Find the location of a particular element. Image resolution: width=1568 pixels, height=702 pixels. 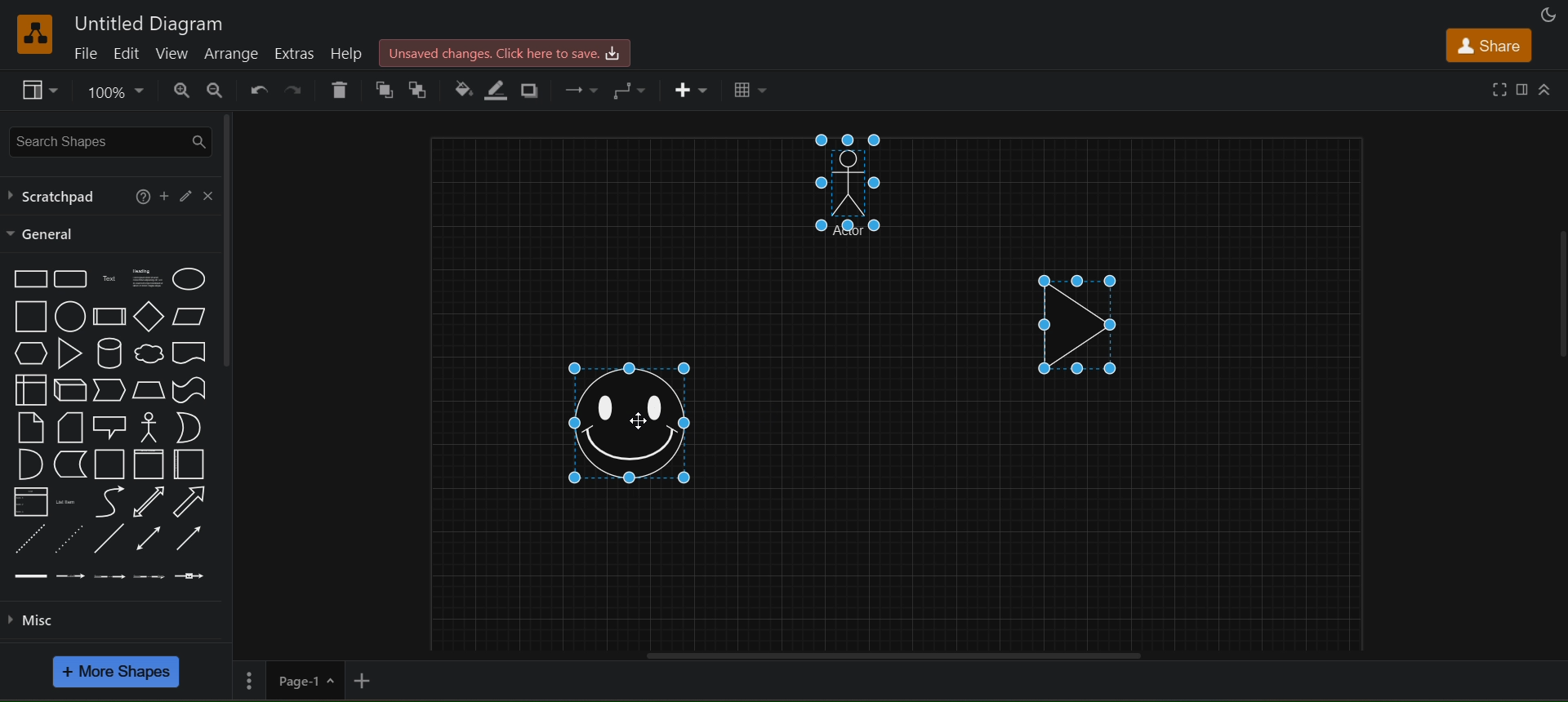

undo is located at coordinates (256, 88).